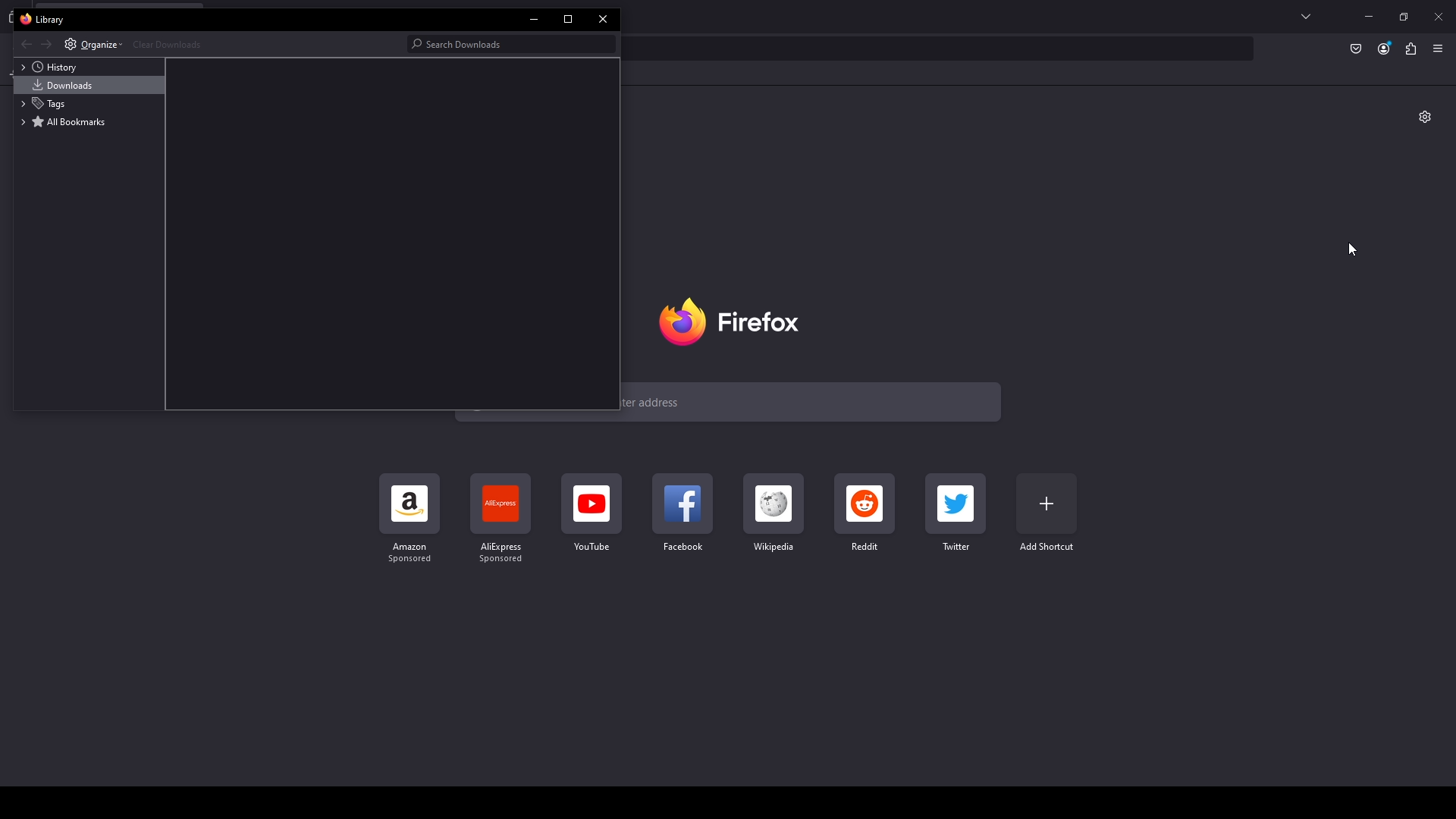 The height and width of the screenshot is (819, 1456). What do you see at coordinates (266, 43) in the screenshot?
I see `Clear downloads` at bounding box center [266, 43].